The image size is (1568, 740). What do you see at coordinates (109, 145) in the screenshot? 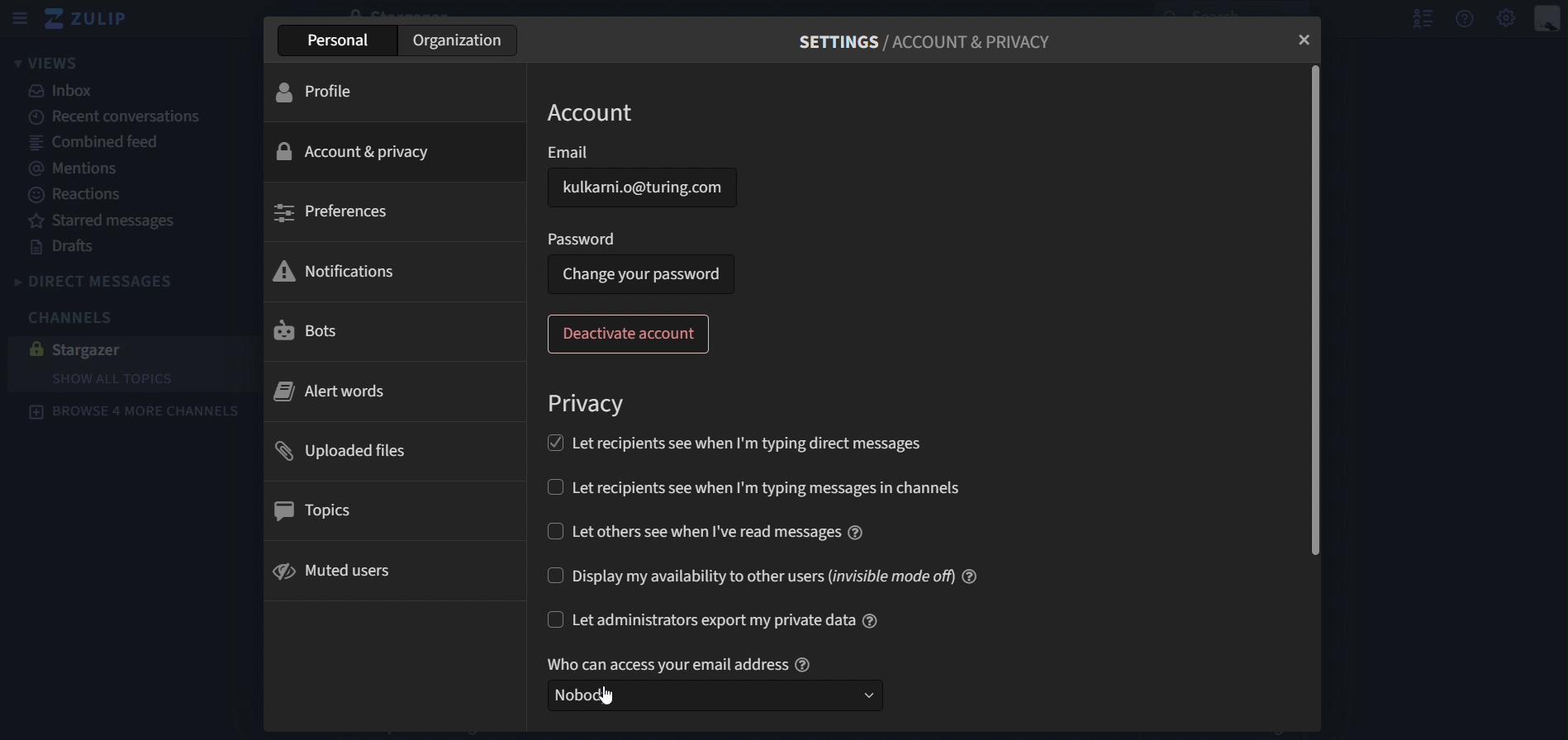
I see `combined feed` at bounding box center [109, 145].